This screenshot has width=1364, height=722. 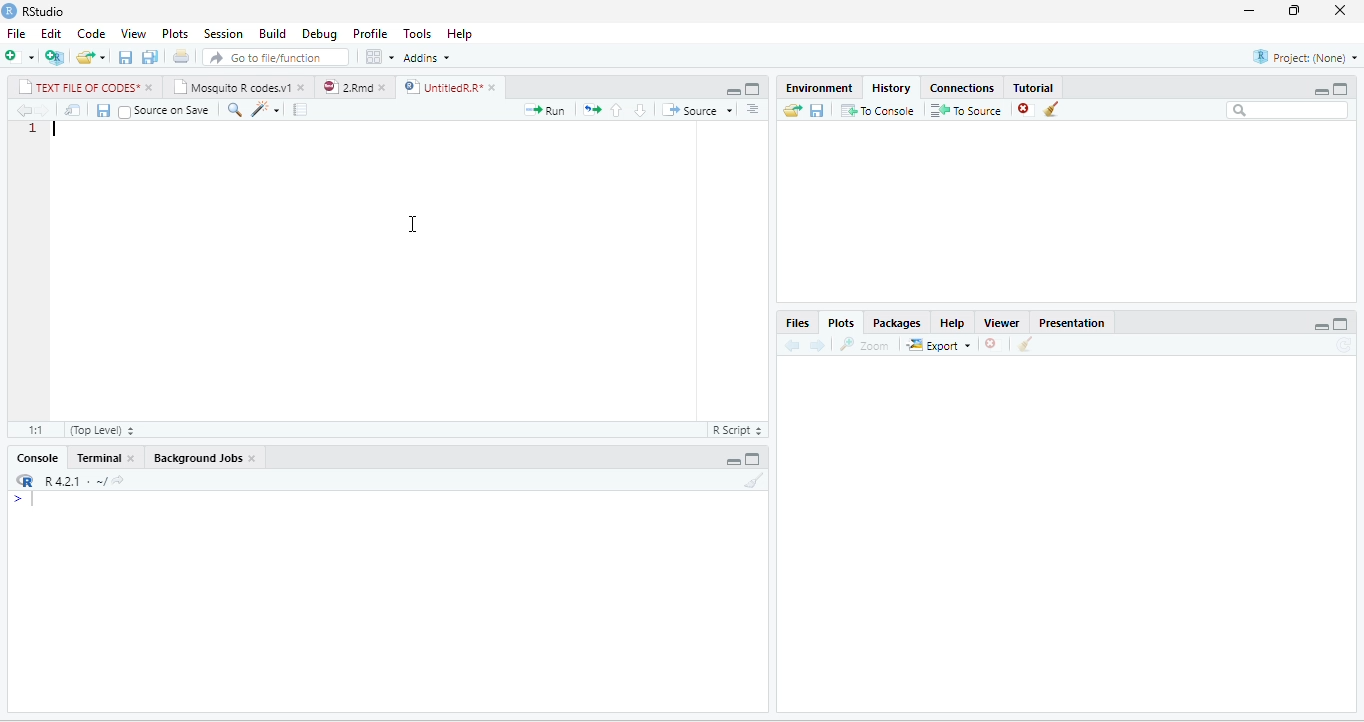 What do you see at coordinates (55, 57) in the screenshot?
I see `new project` at bounding box center [55, 57].